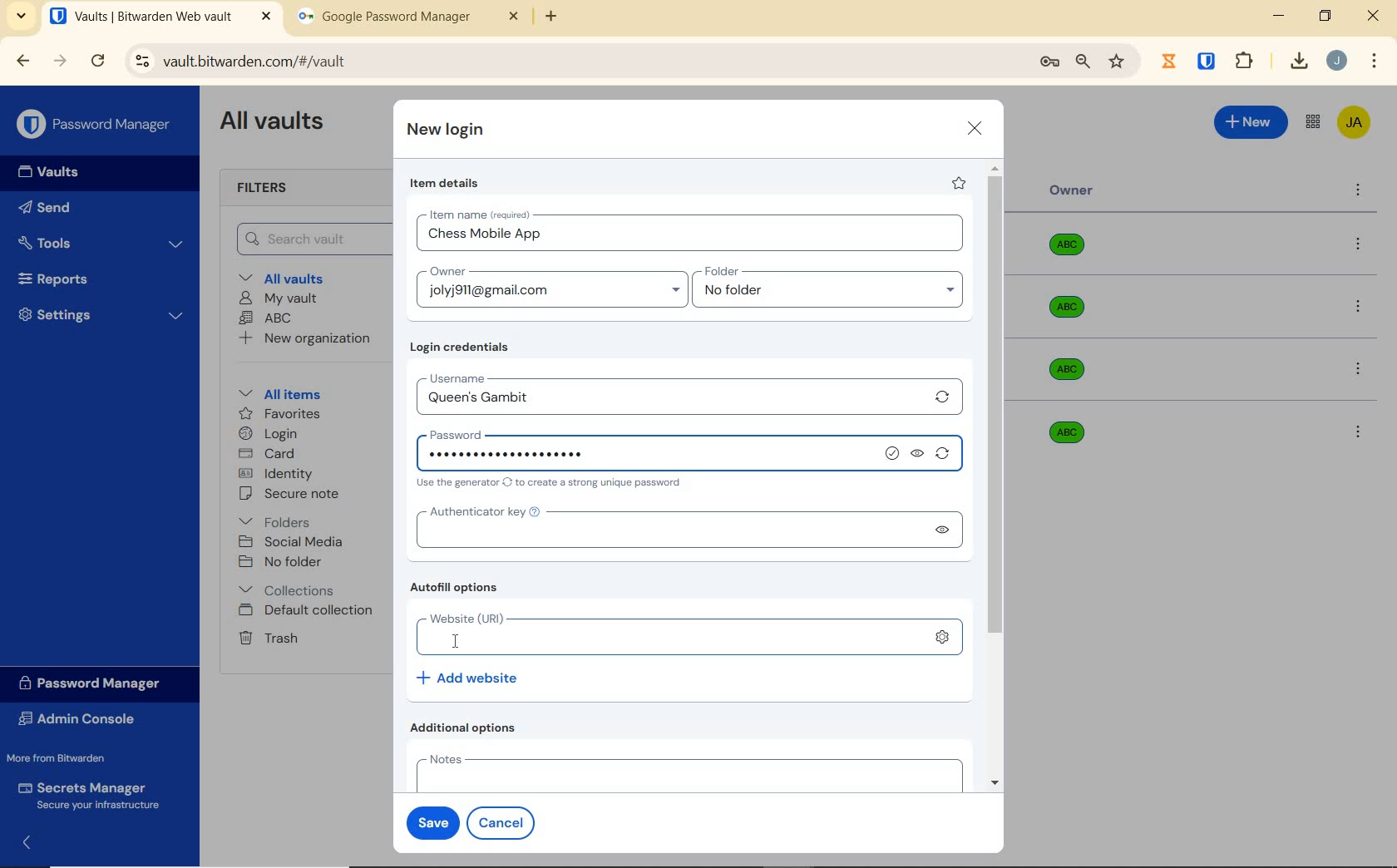  I want to click on cancel, so click(504, 822).